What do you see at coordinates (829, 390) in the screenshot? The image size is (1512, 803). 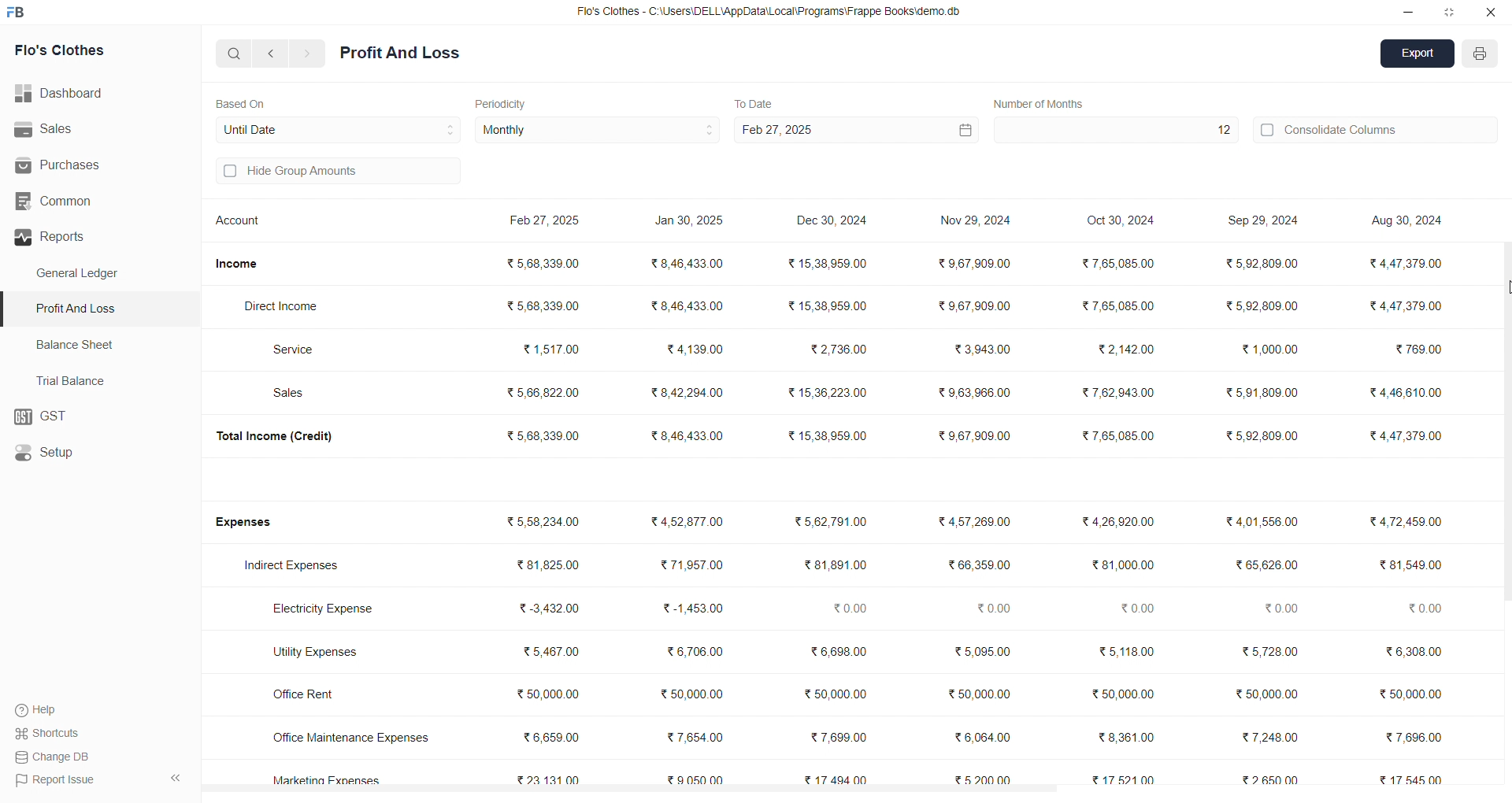 I see `₹15,36,223.00` at bounding box center [829, 390].